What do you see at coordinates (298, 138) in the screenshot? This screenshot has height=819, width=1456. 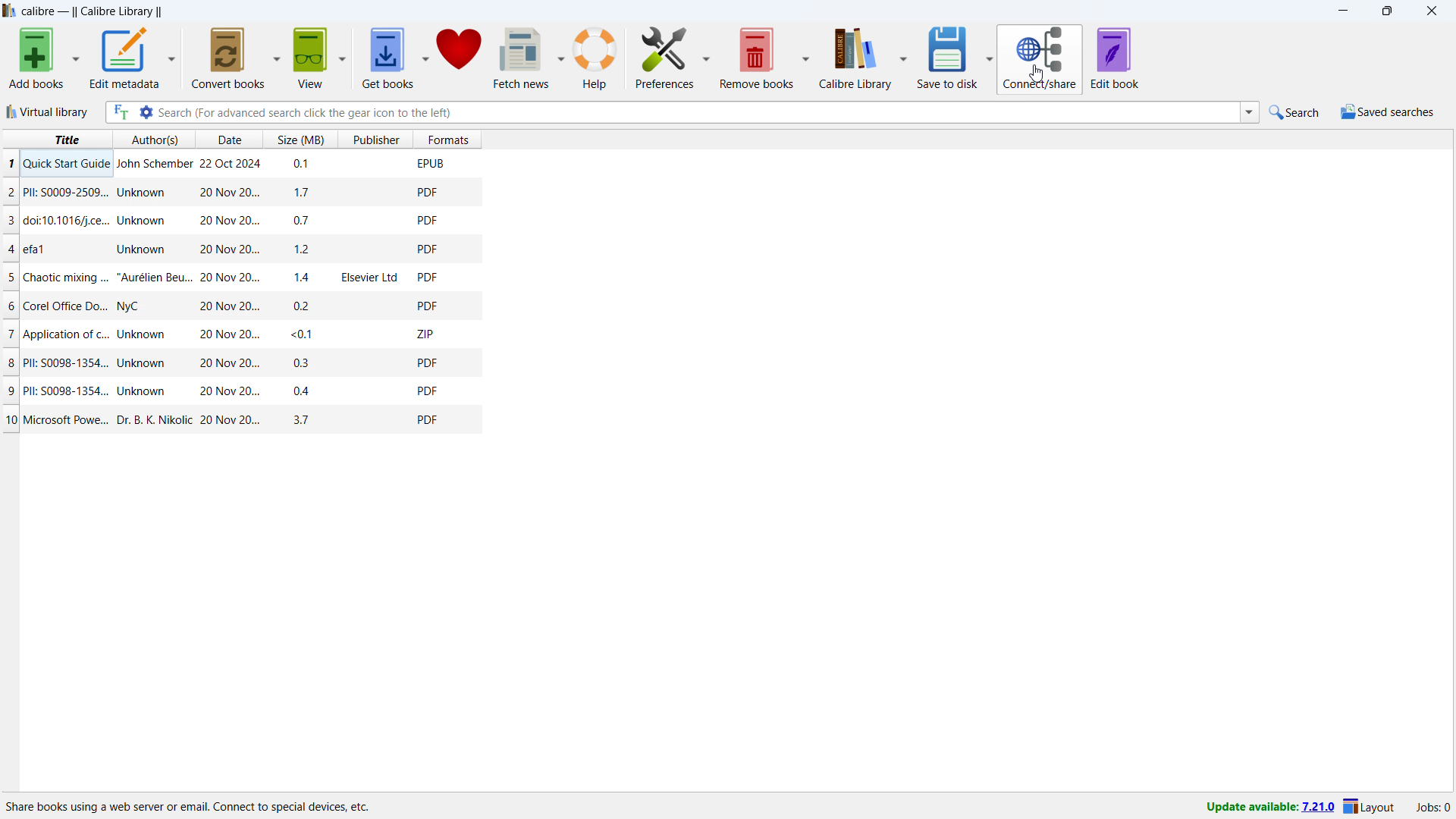 I see `sort by size` at bounding box center [298, 138].